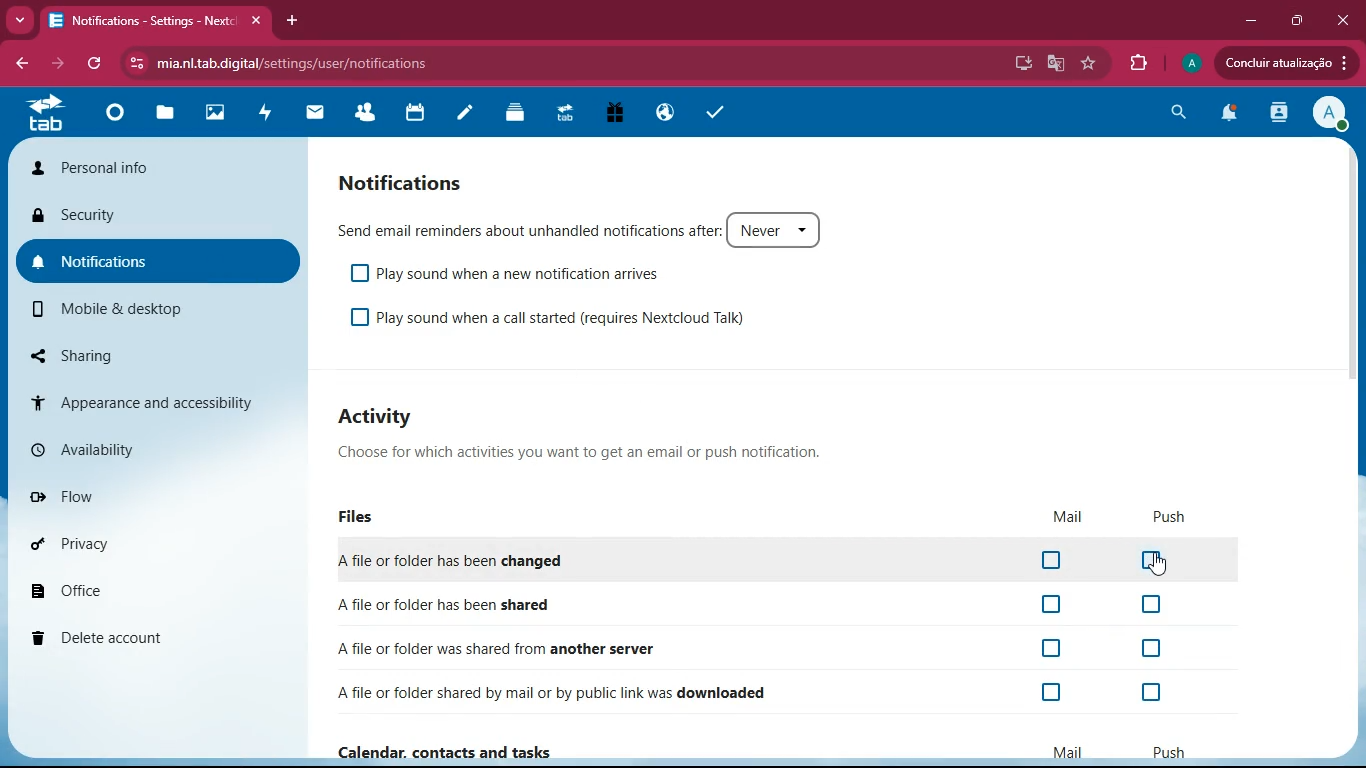  What do you see at coordinates (1344, 17) in the screenshot?
I see `close` at bounding box center [1344, 17].